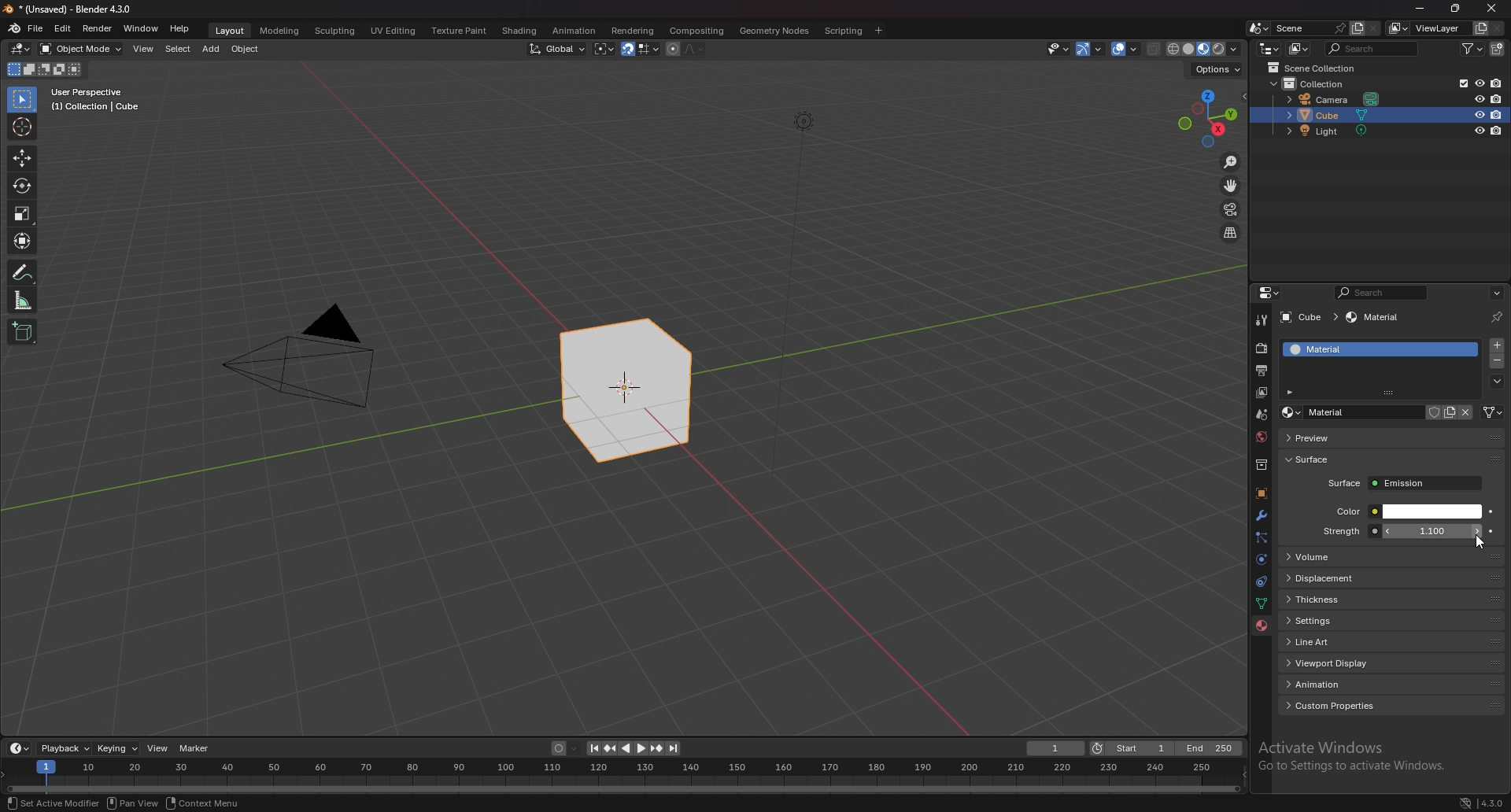 The image size is (1511, 812). What do you see at coordinates (1435, 531) in the screenshot?
I see `strength` at bounding box center [1435, 531].